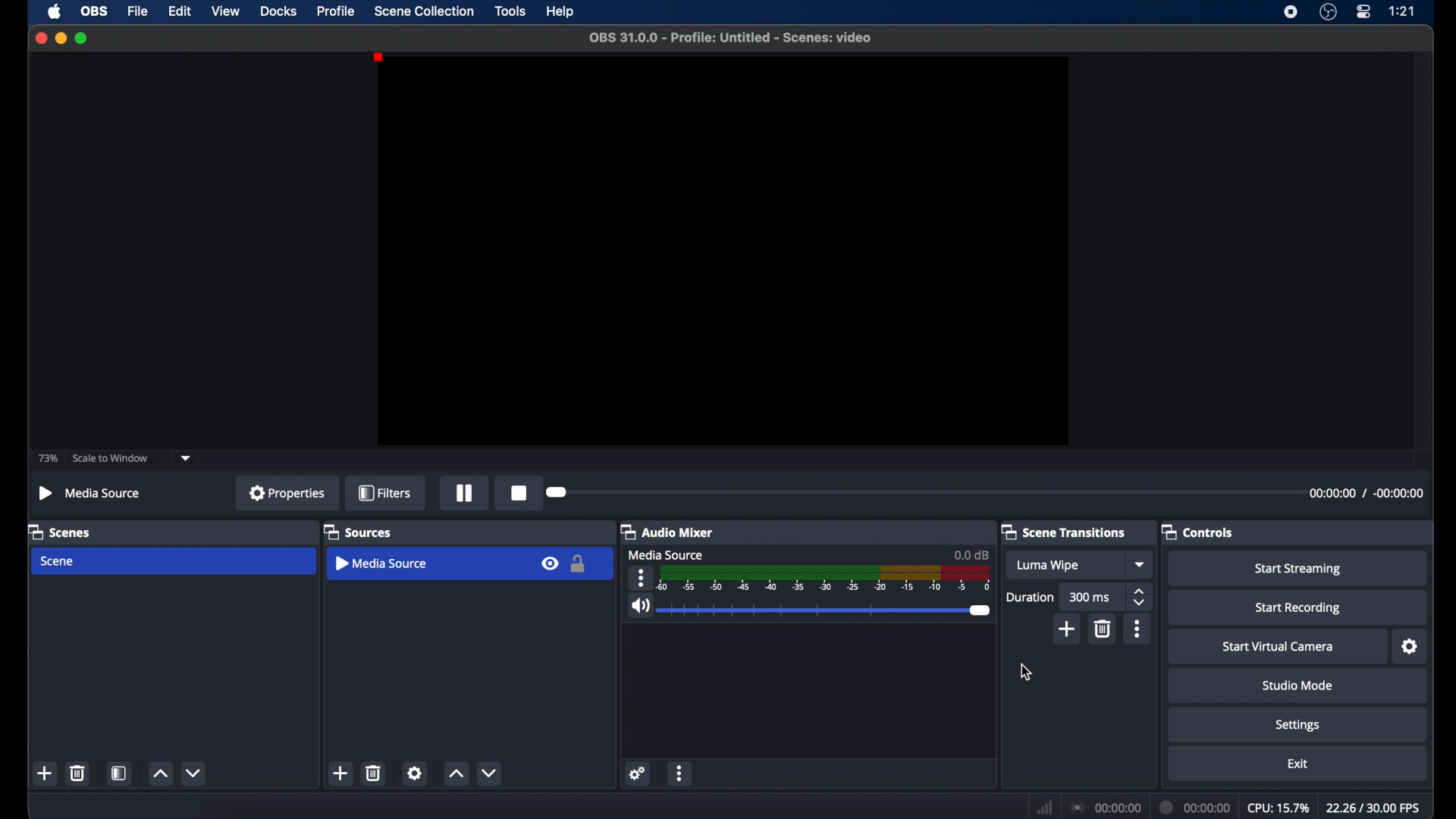 This screenshot has height=819, width=1456. What do you see at coordinates (1090, 597) in the screenshot?
I see `300 ms` at bounding box center [1090, 597].